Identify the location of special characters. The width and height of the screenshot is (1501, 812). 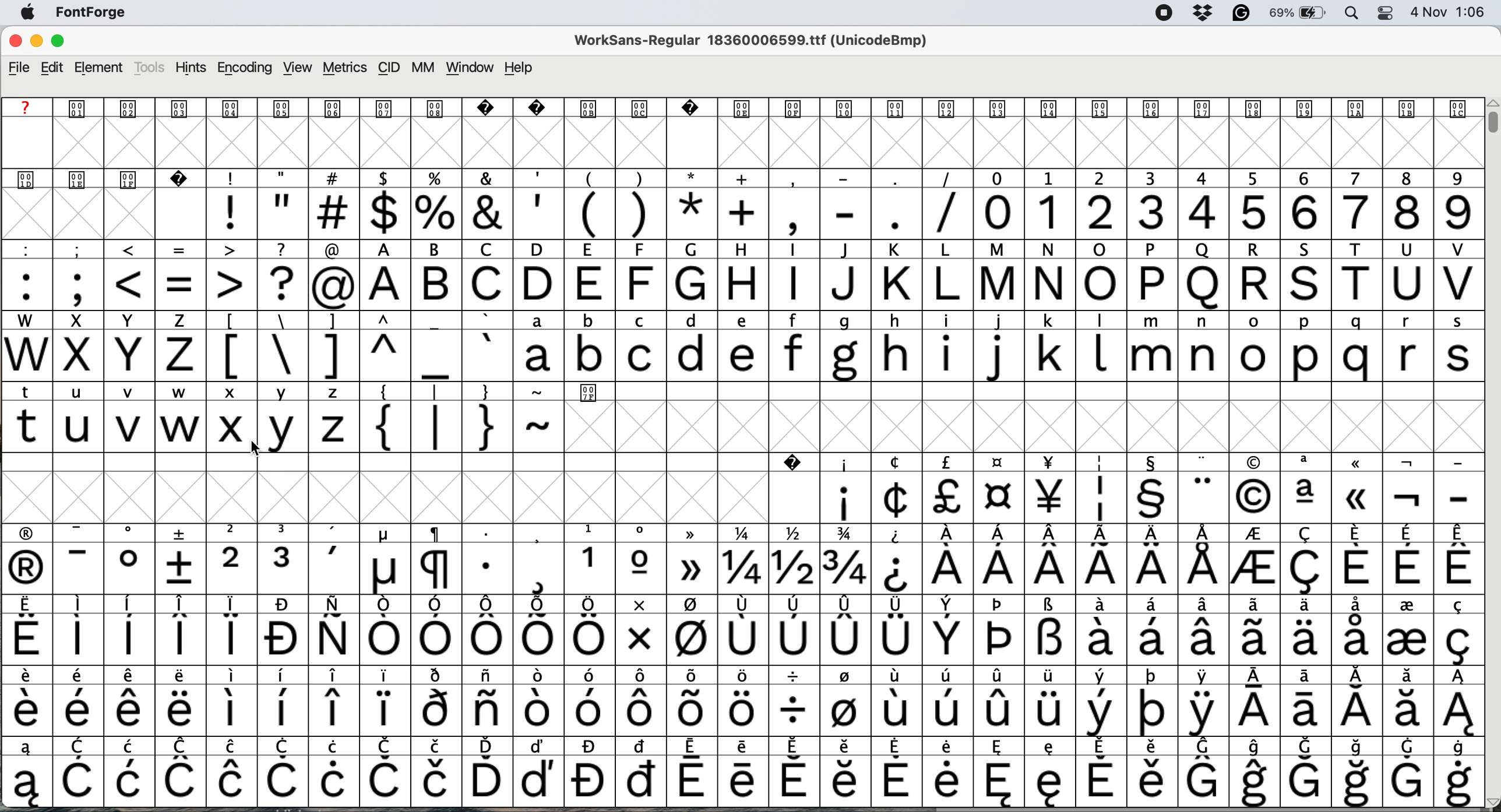
(355, 355).